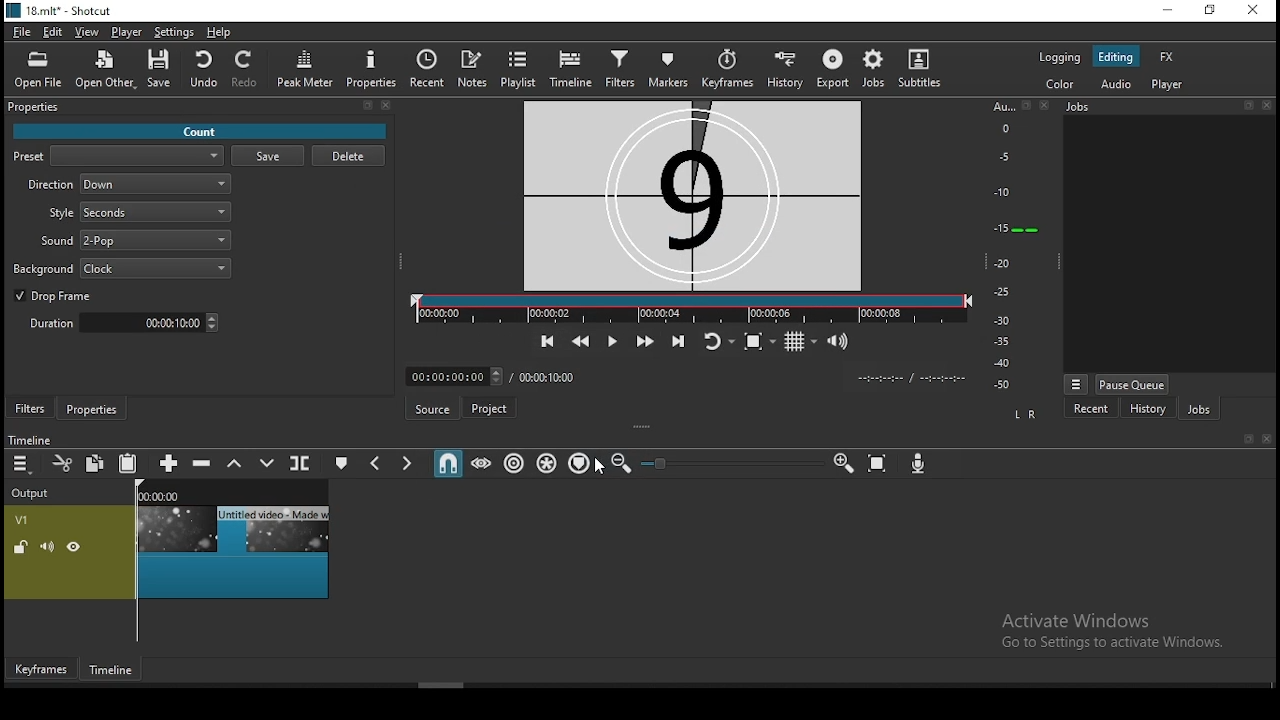 This screenshot has width=1280, height=720. I want to click on redo, so click(247, 69).